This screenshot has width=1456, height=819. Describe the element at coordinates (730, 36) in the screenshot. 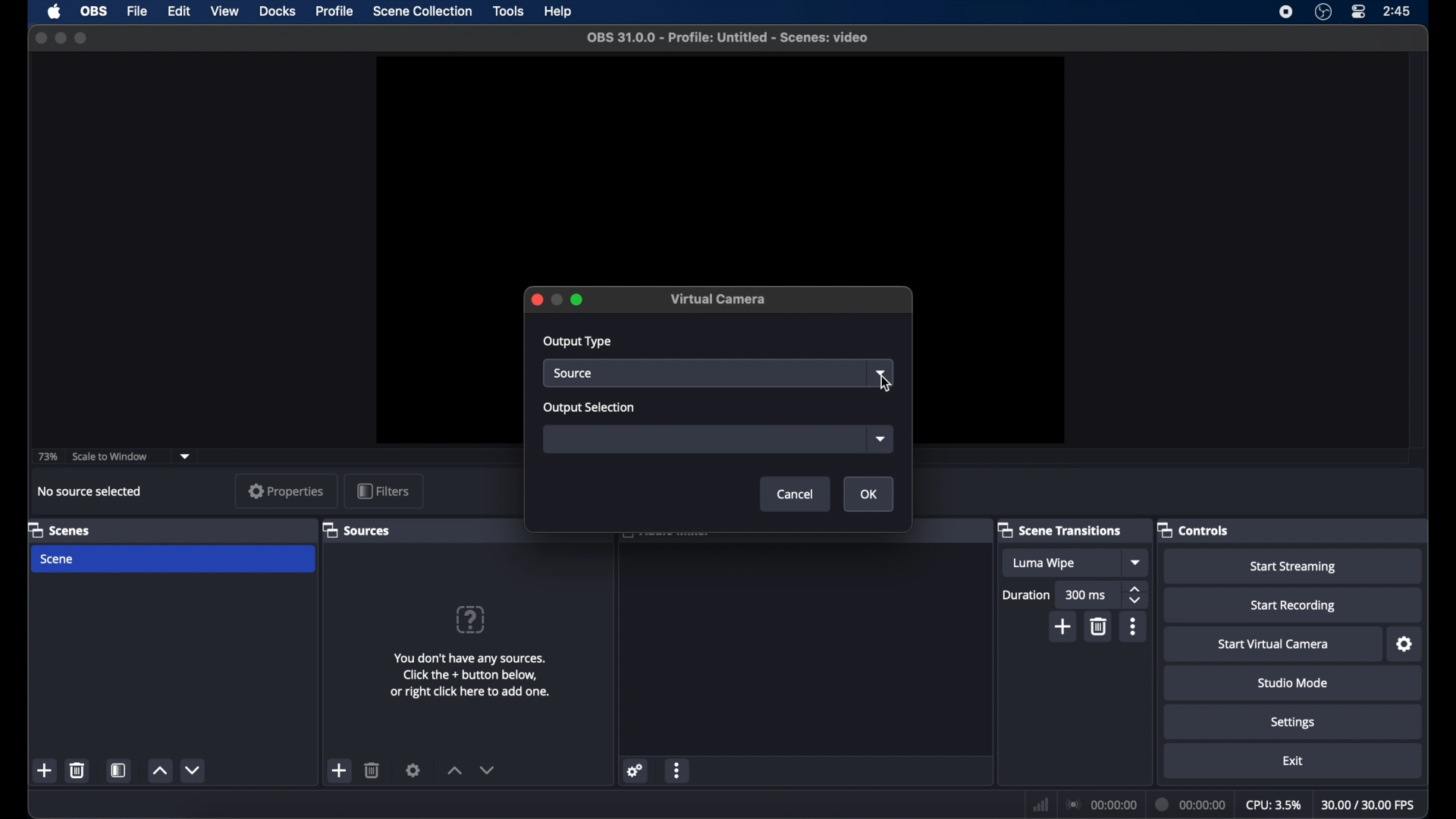

I see `file name` at that location.